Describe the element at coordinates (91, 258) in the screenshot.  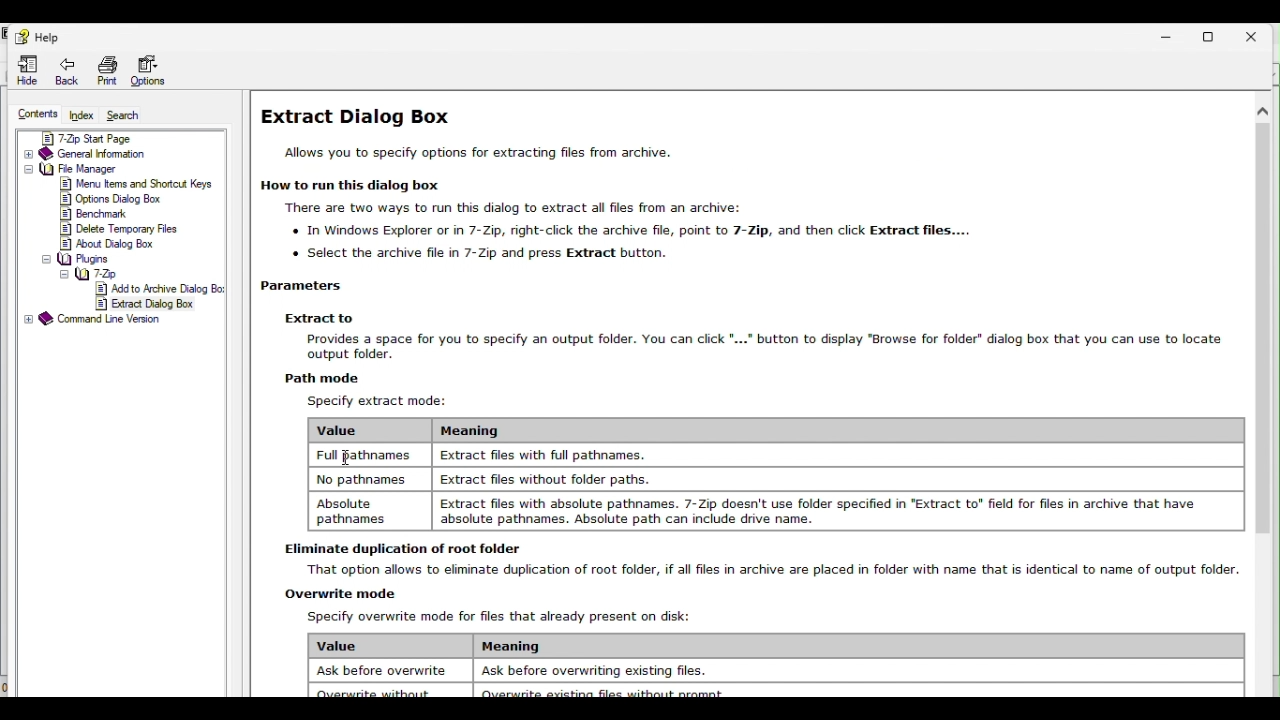
I see `` at that location.